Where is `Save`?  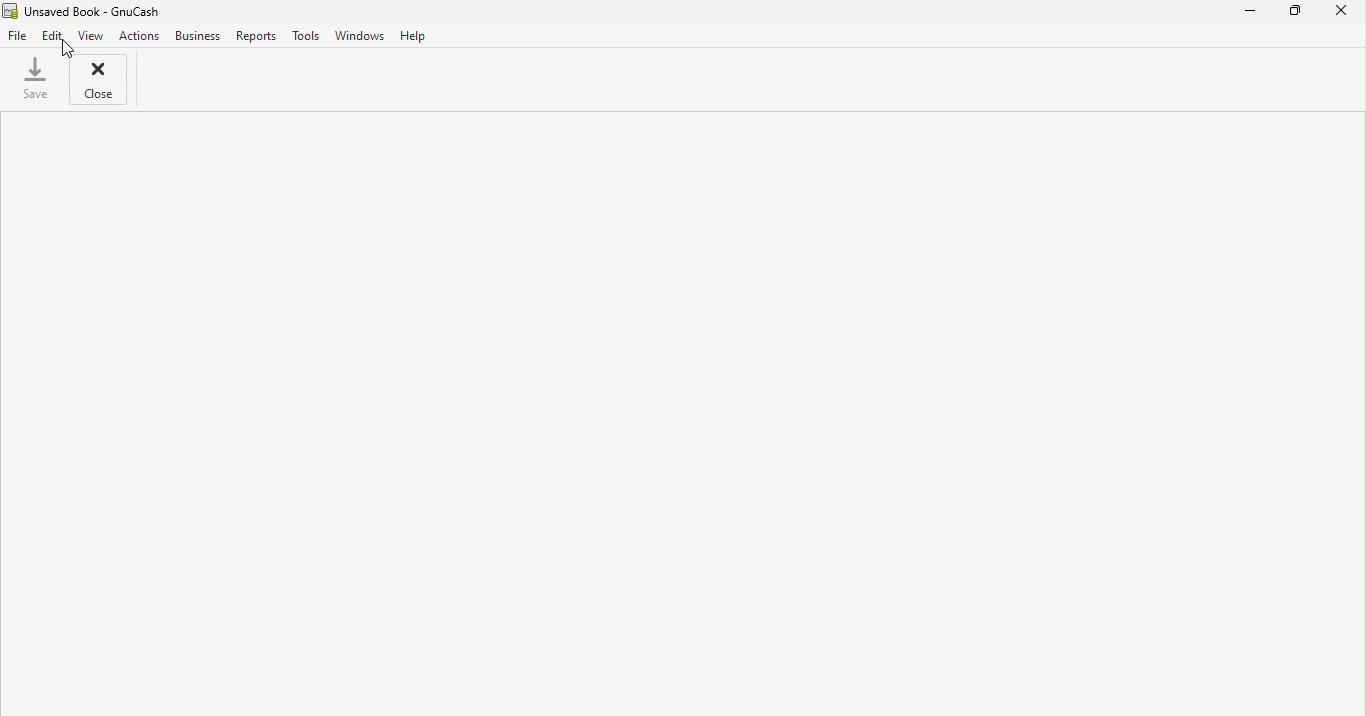
Save is located at coordinates (39, 76).